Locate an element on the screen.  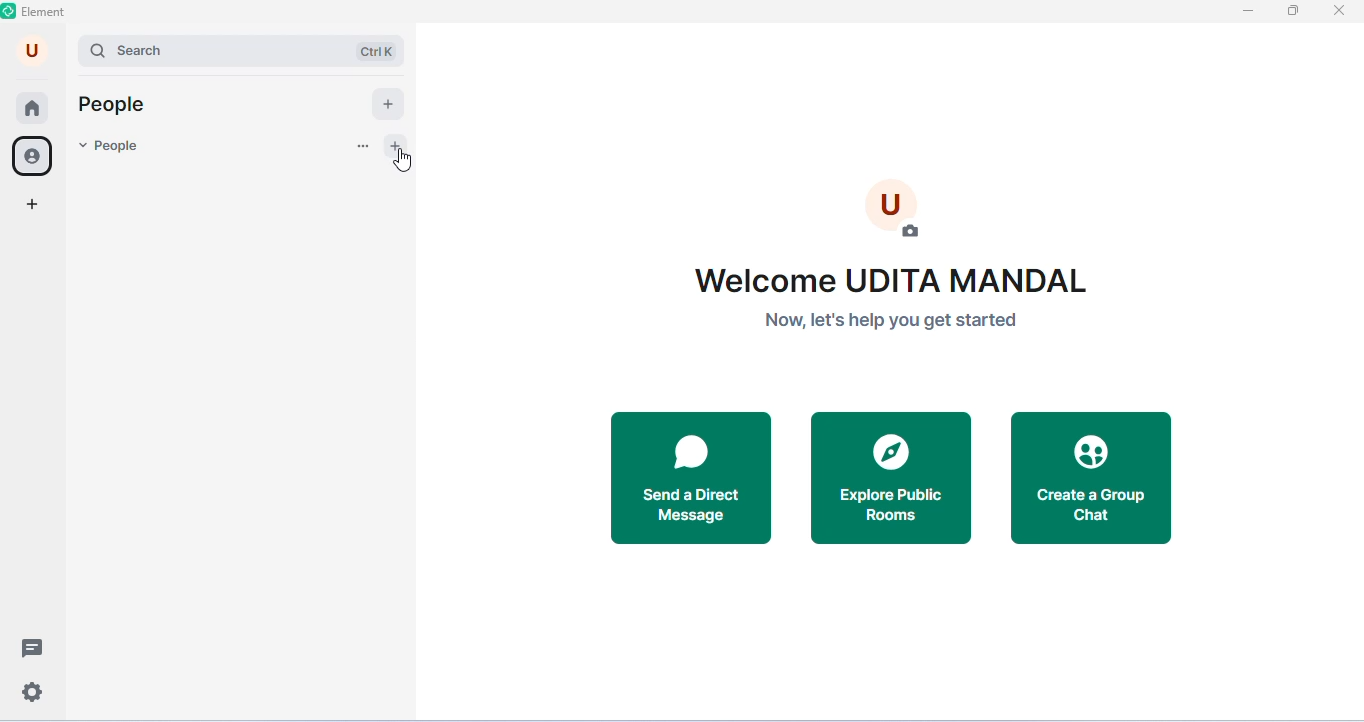
quick settings is located at coordinates (33, 694).